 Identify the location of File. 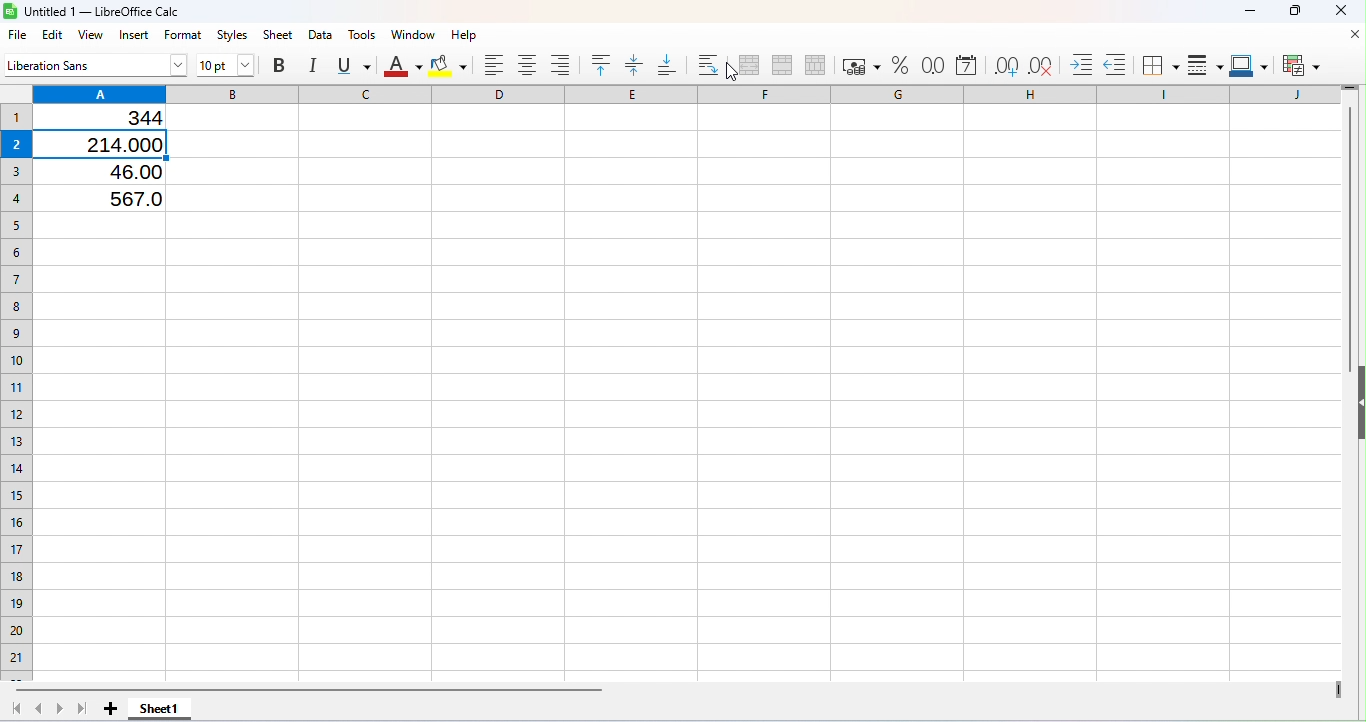
(16, 34).